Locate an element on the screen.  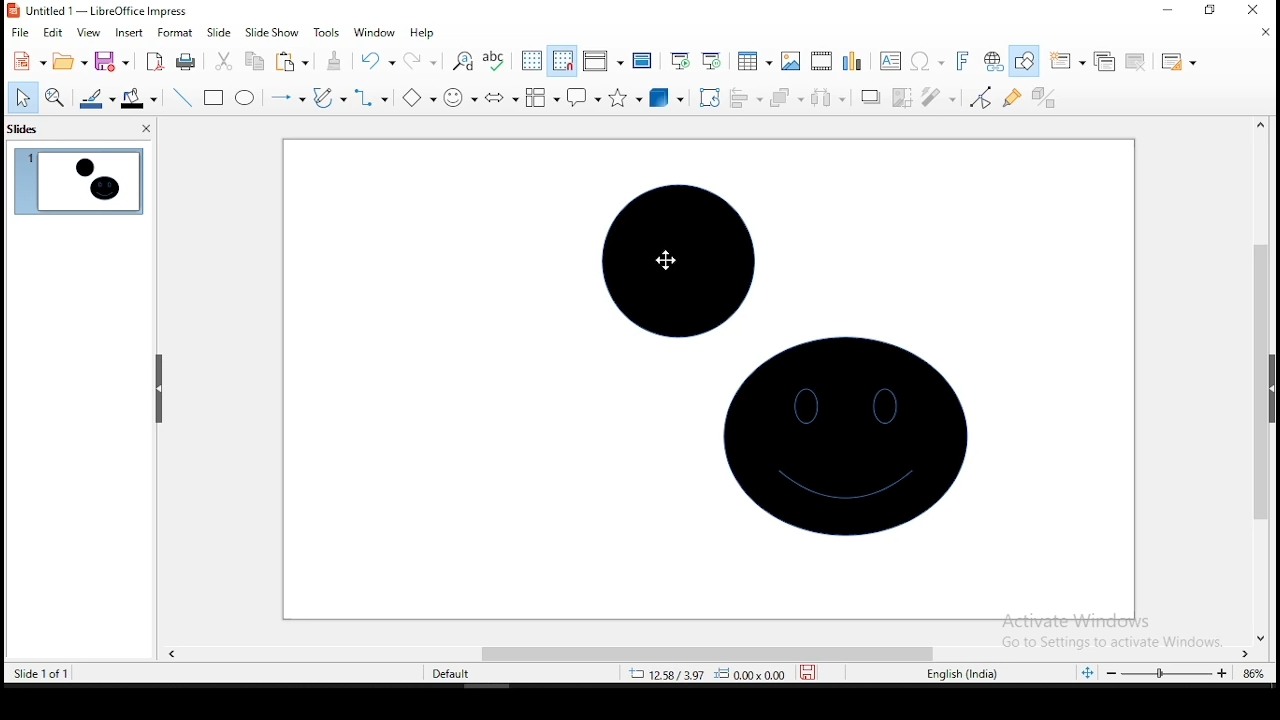
slide is located at coordinates (219, 32).